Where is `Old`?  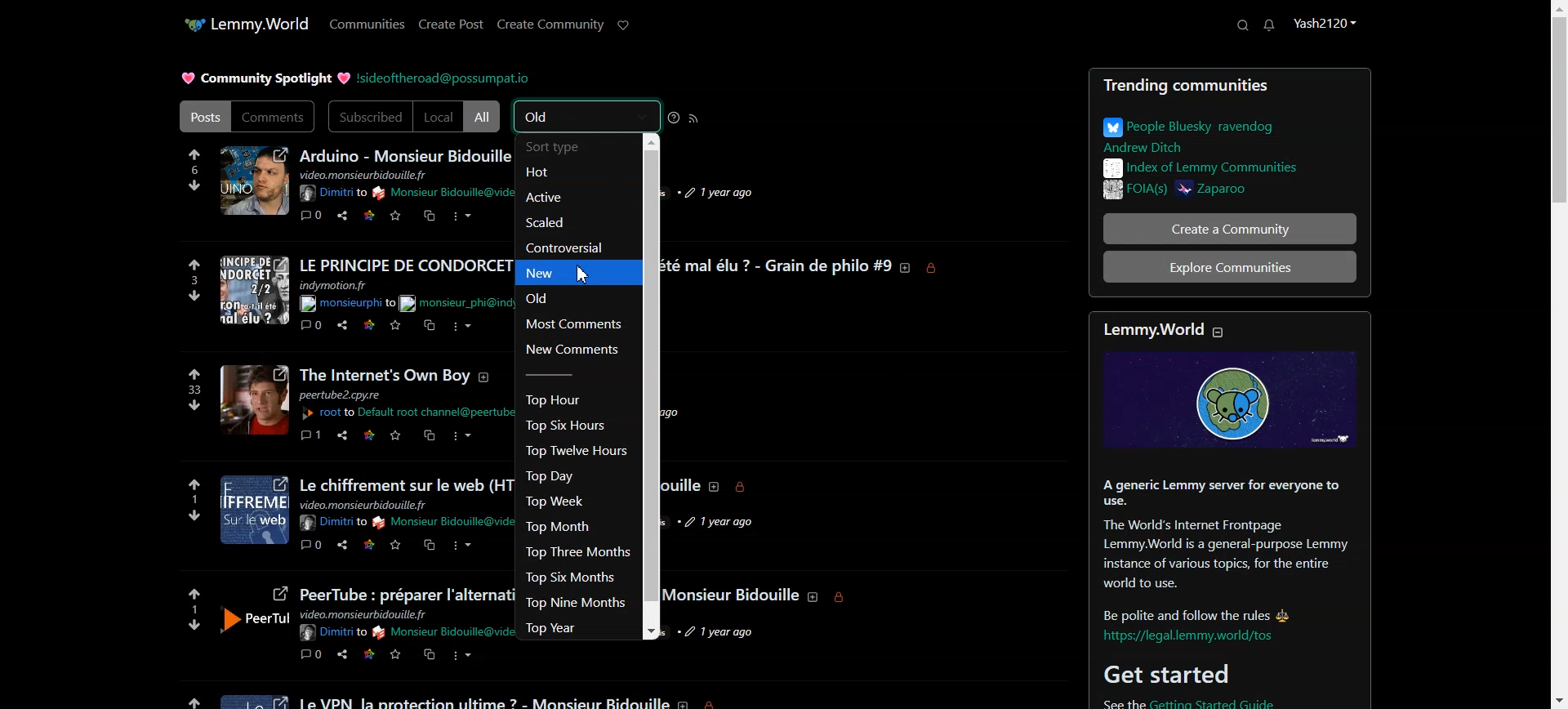
Old is located at coordinates (587, 116).